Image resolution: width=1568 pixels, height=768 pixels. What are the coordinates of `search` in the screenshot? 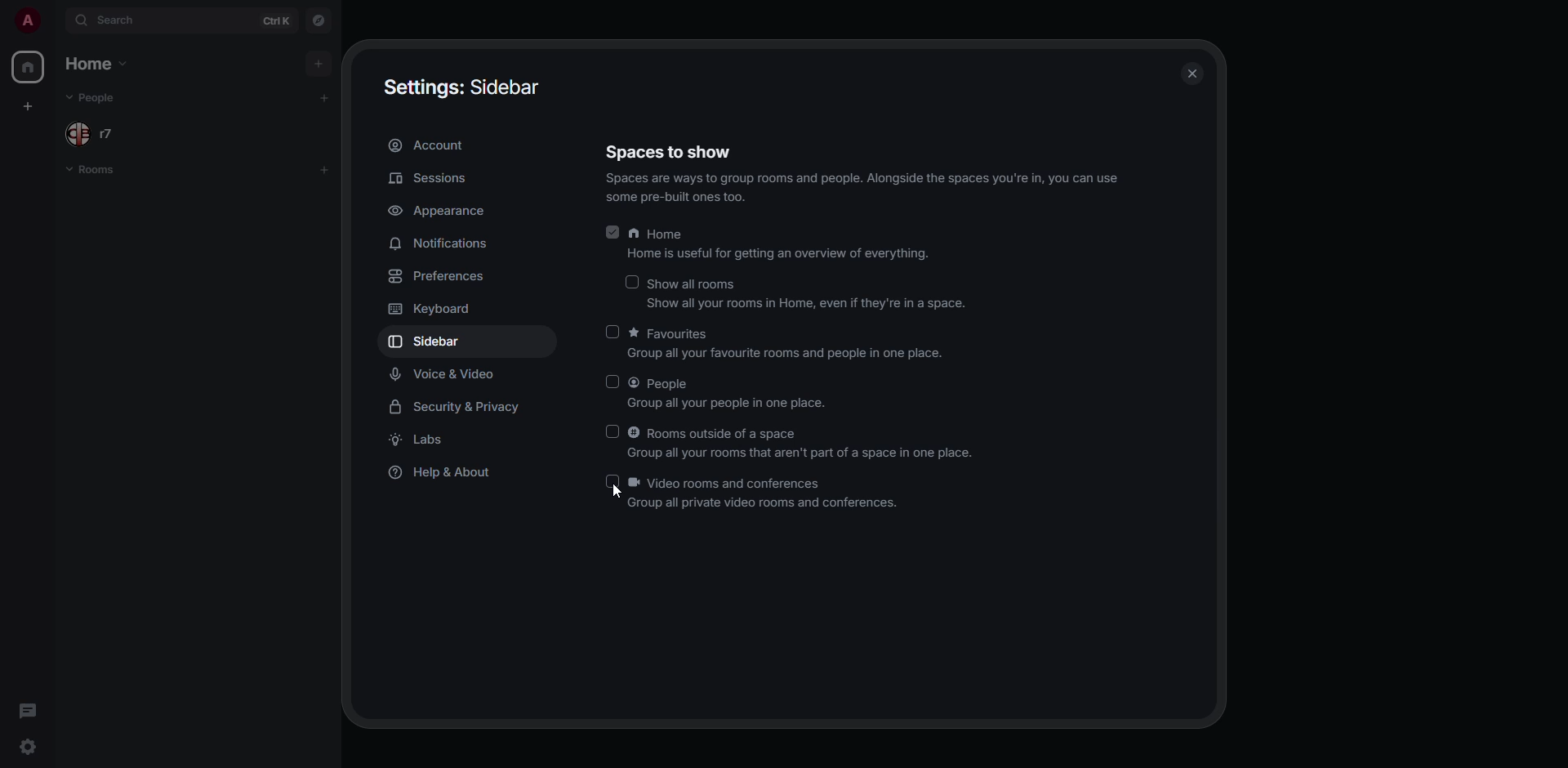 It's located at (118, 22).